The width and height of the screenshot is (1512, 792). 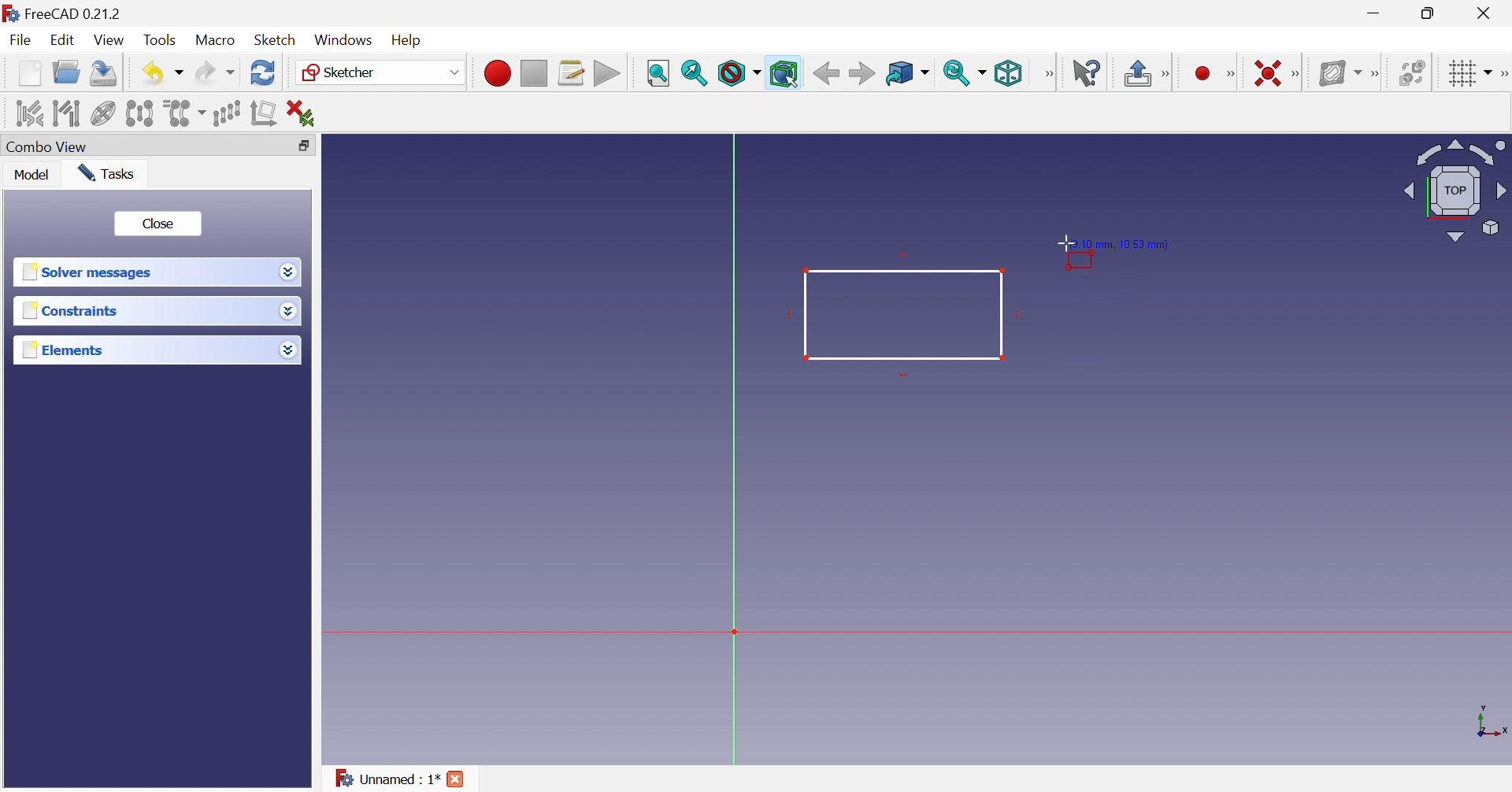 What do you see at coordinates (607, 74) in the screenshot?
I see `Execute macro` at bounding box center [607, 74].